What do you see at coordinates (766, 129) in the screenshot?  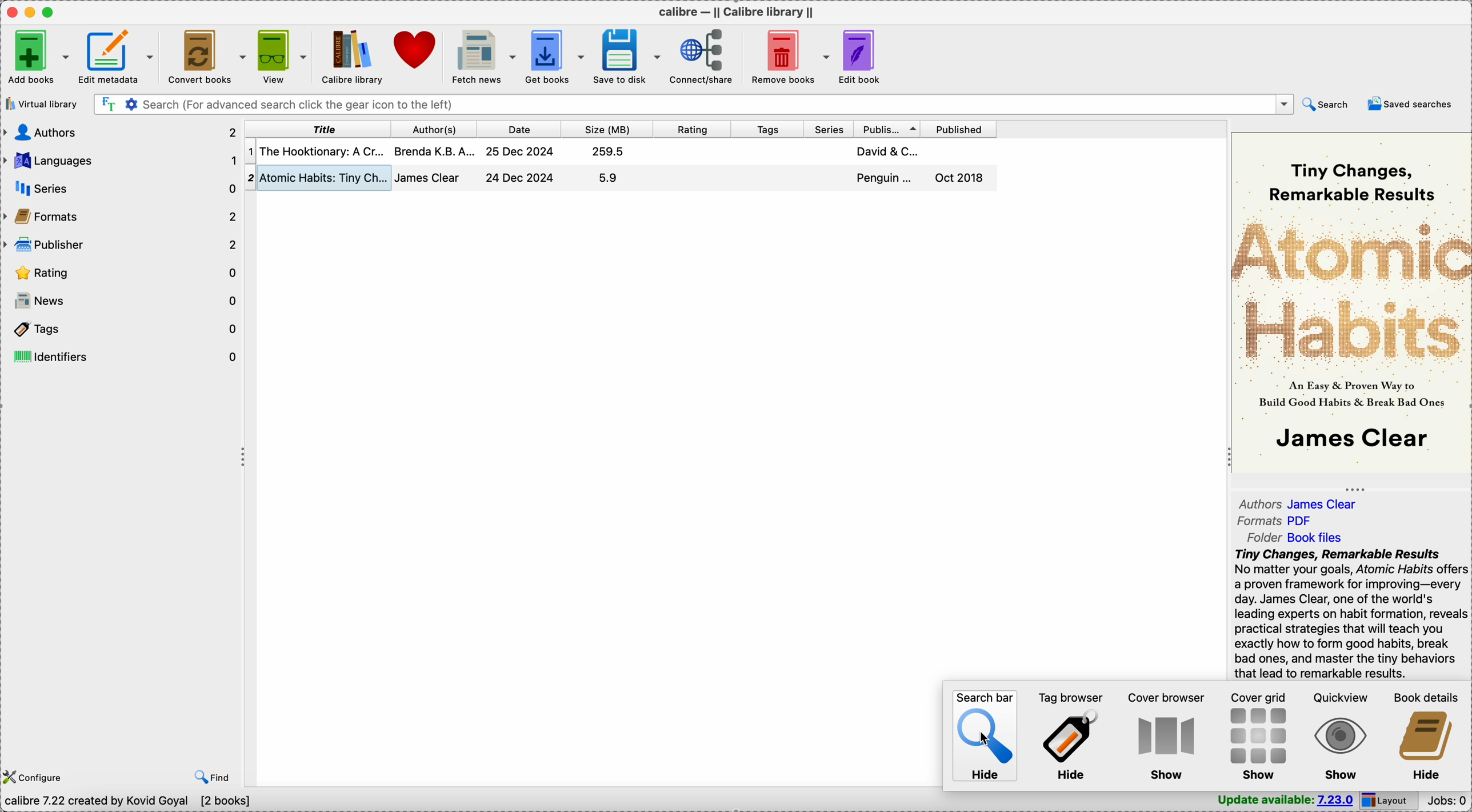 I see `tags` at bounding box center [766, 129].